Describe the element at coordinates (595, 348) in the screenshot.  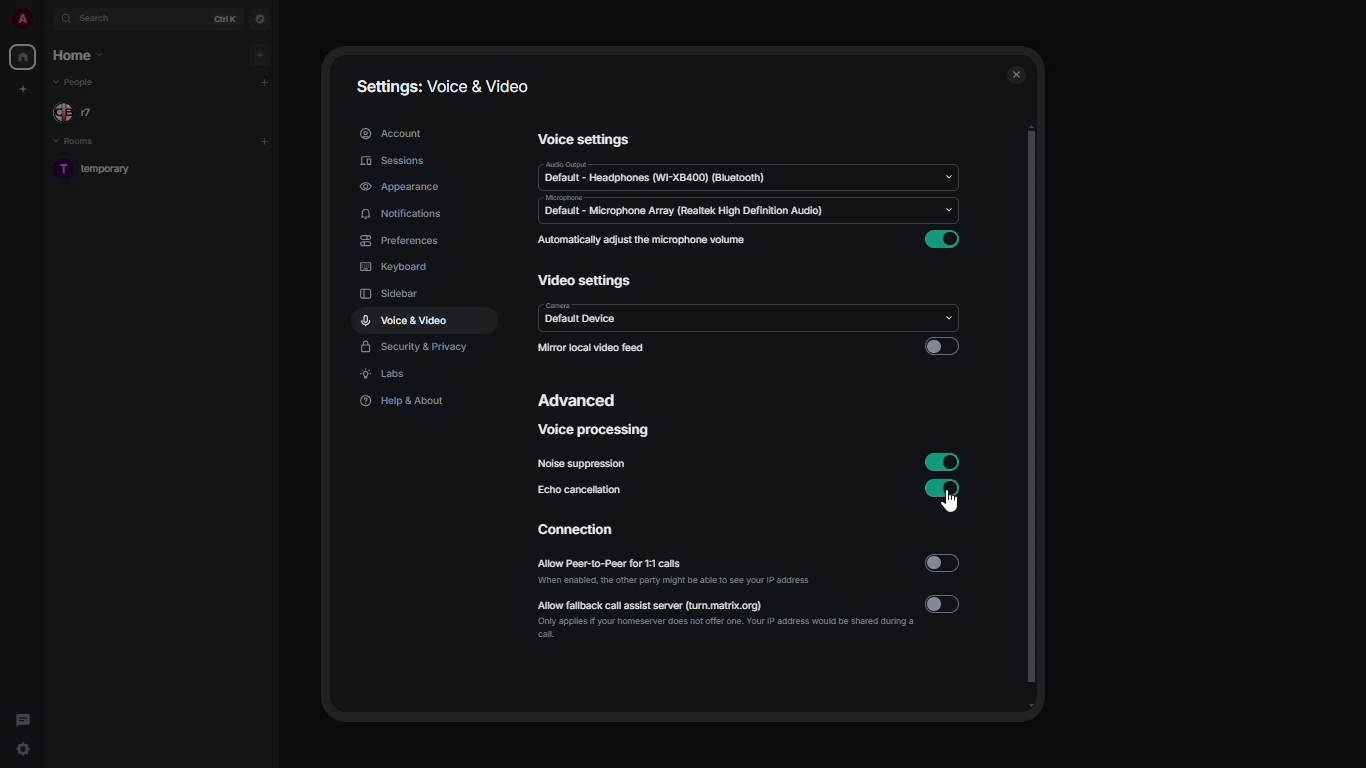
I see `mirror local video feed` at that location.